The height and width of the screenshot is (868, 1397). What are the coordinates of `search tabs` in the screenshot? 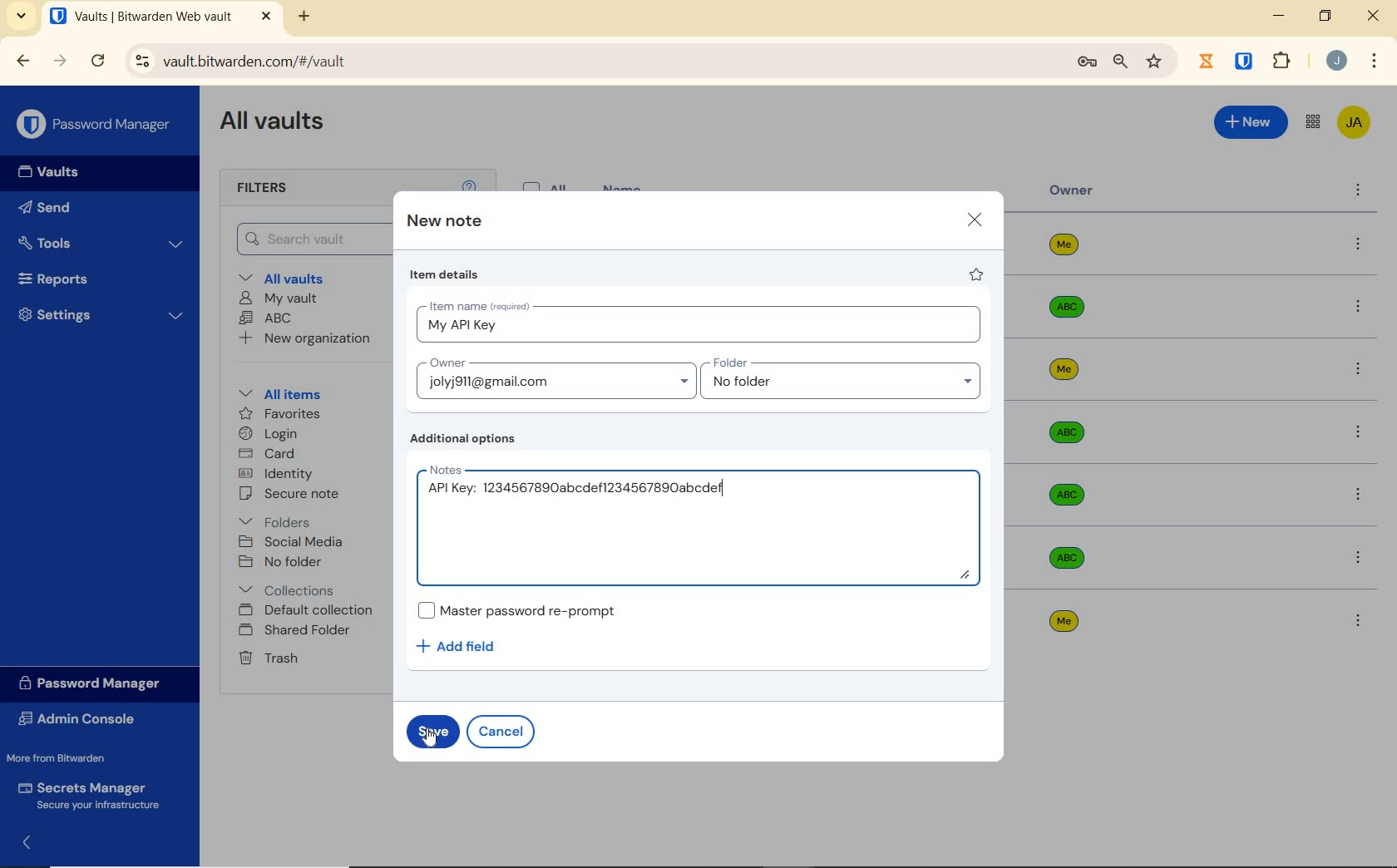 It's located at (22, 16).